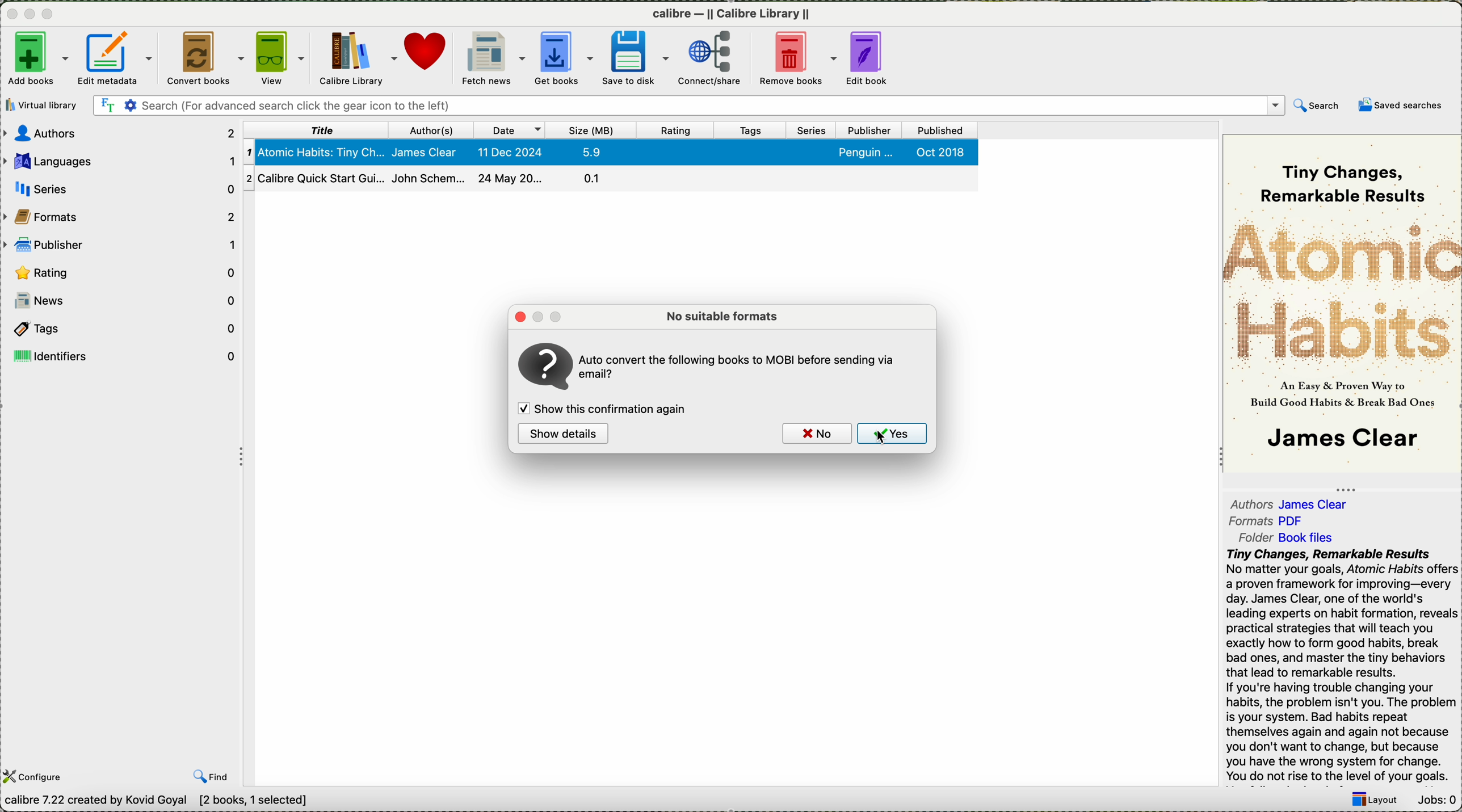  I want to click on close popup, so click(518, 315).